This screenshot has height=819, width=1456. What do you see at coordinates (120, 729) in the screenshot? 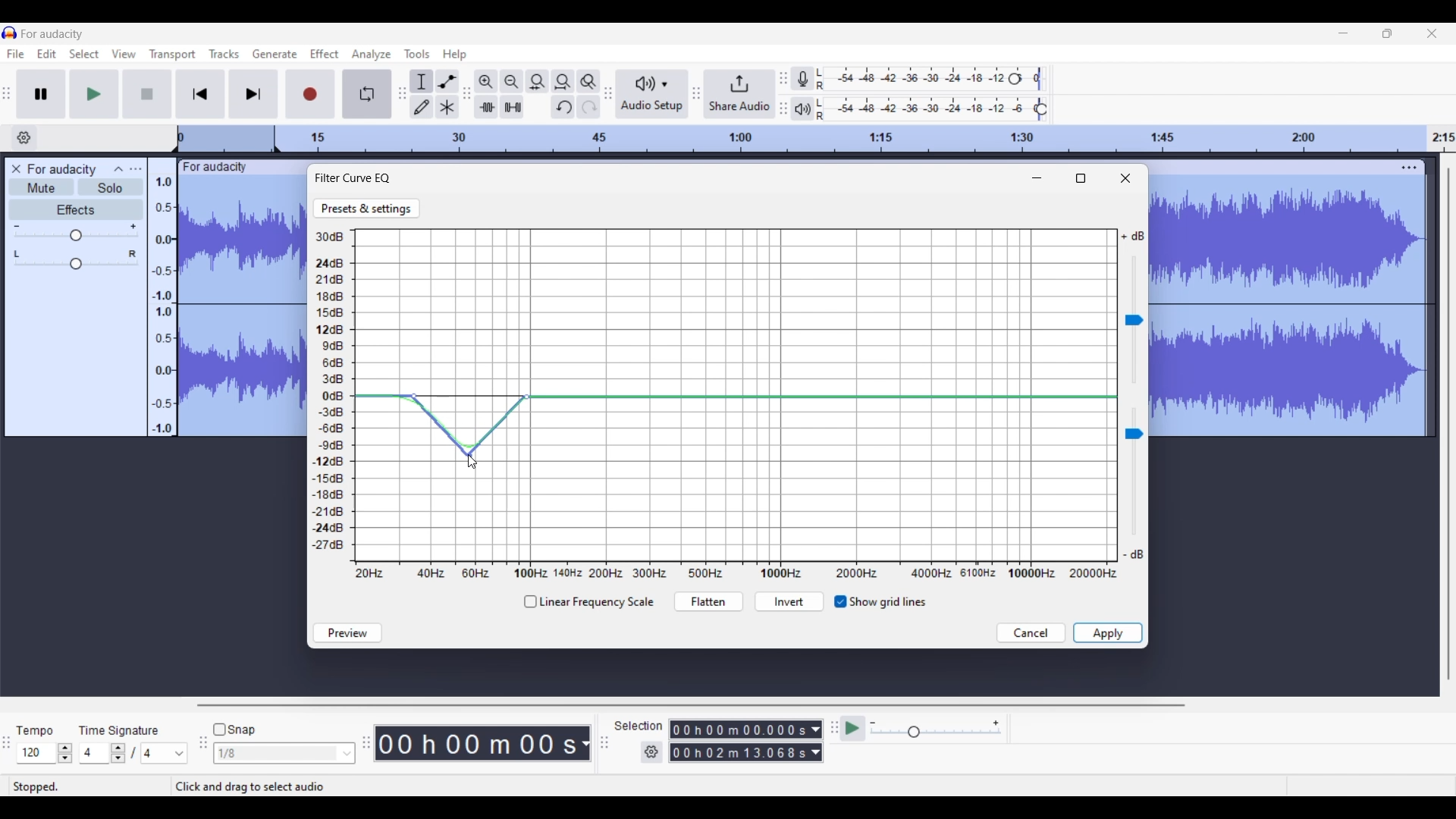
I see `TIme signature` at bounding box center [120, 729].